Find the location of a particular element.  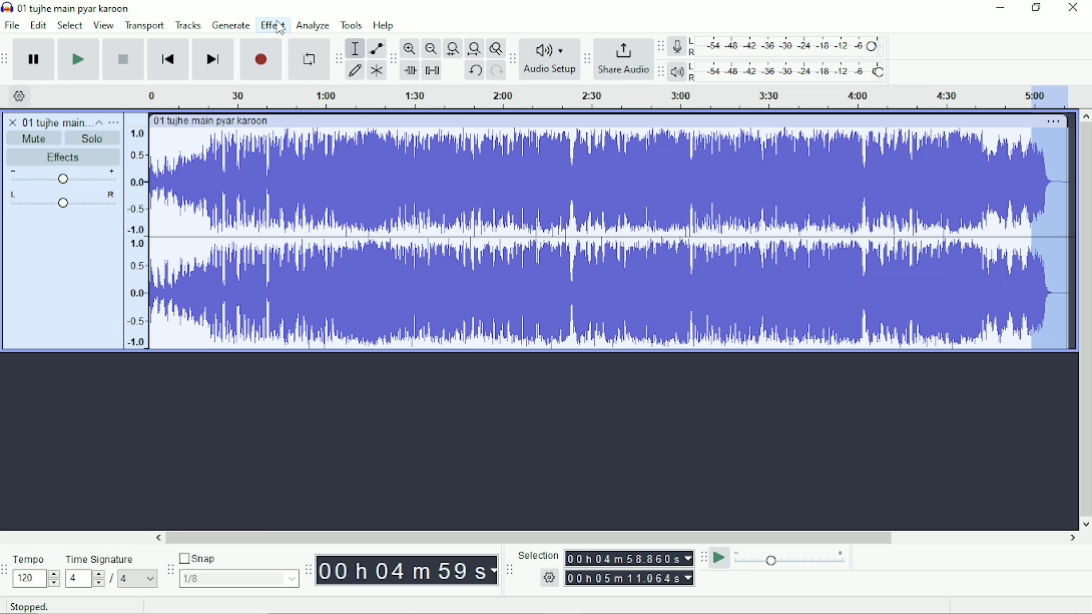

Selection tool is located at coordinates (355, 48).